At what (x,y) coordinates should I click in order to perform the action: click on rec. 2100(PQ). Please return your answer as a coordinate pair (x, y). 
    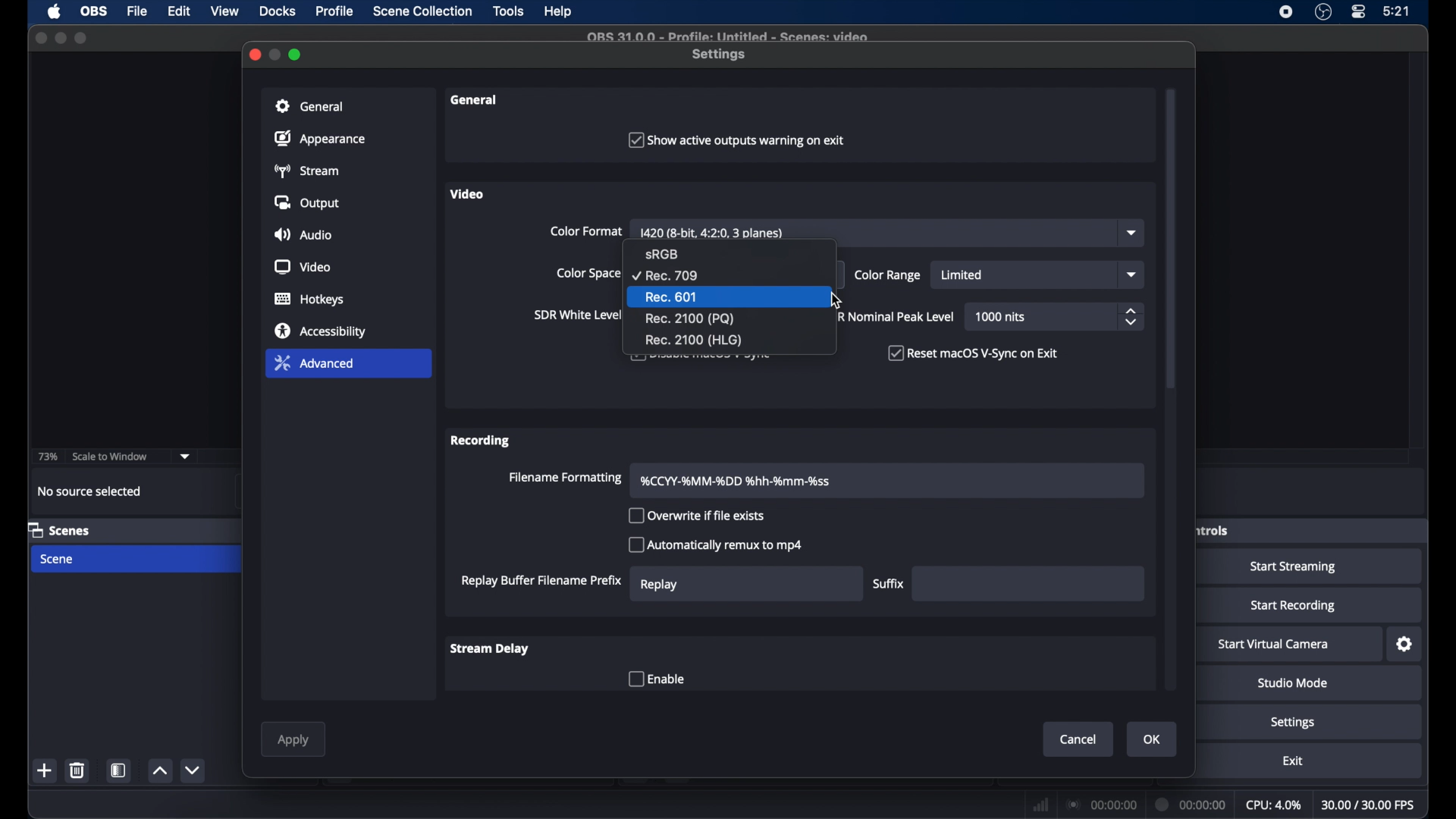
    Looking at the image, I should click on (688, 319).